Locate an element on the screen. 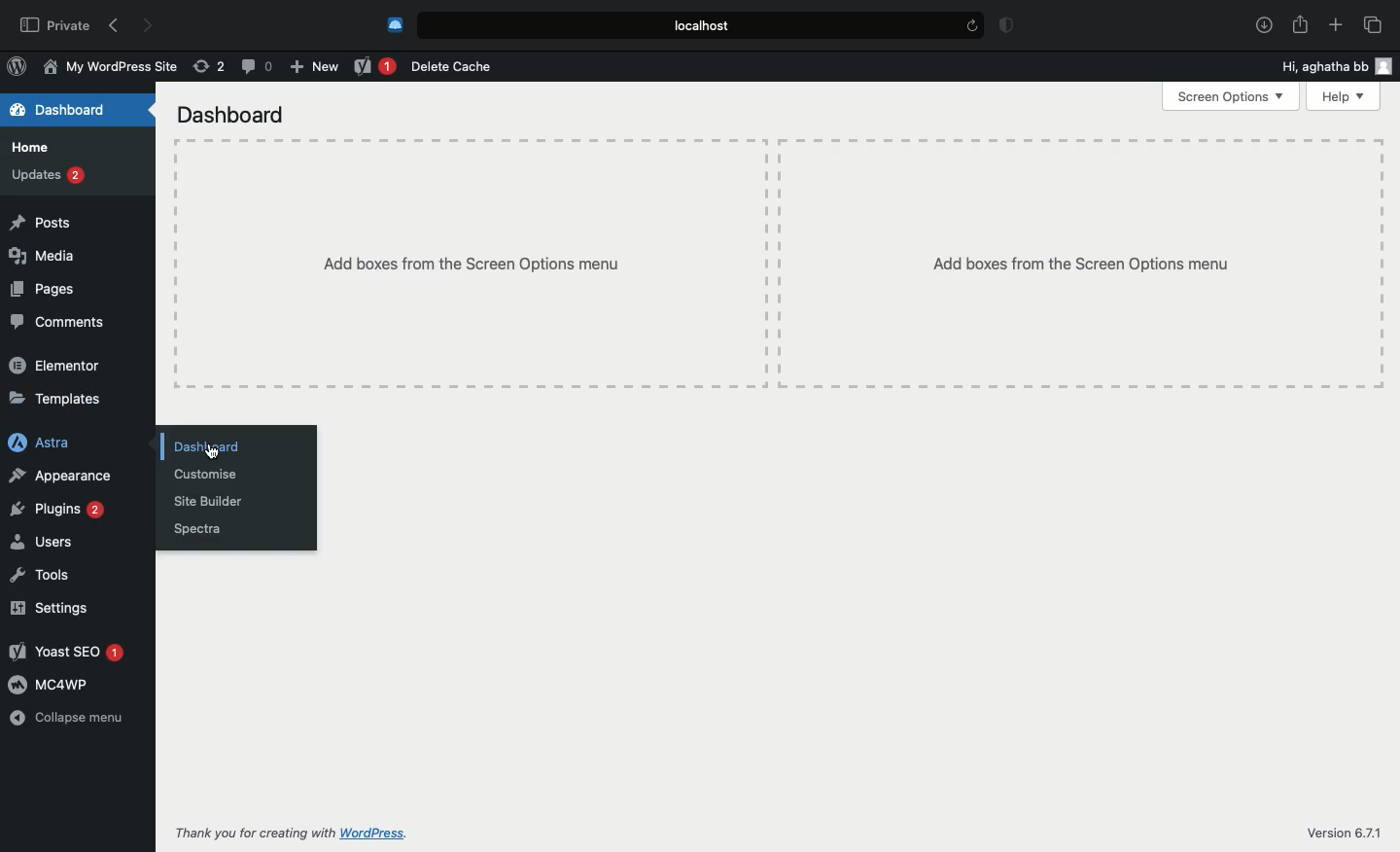 The width and height of the screenshot is (1400, 852). Posts is located at coordinates (40, 223).